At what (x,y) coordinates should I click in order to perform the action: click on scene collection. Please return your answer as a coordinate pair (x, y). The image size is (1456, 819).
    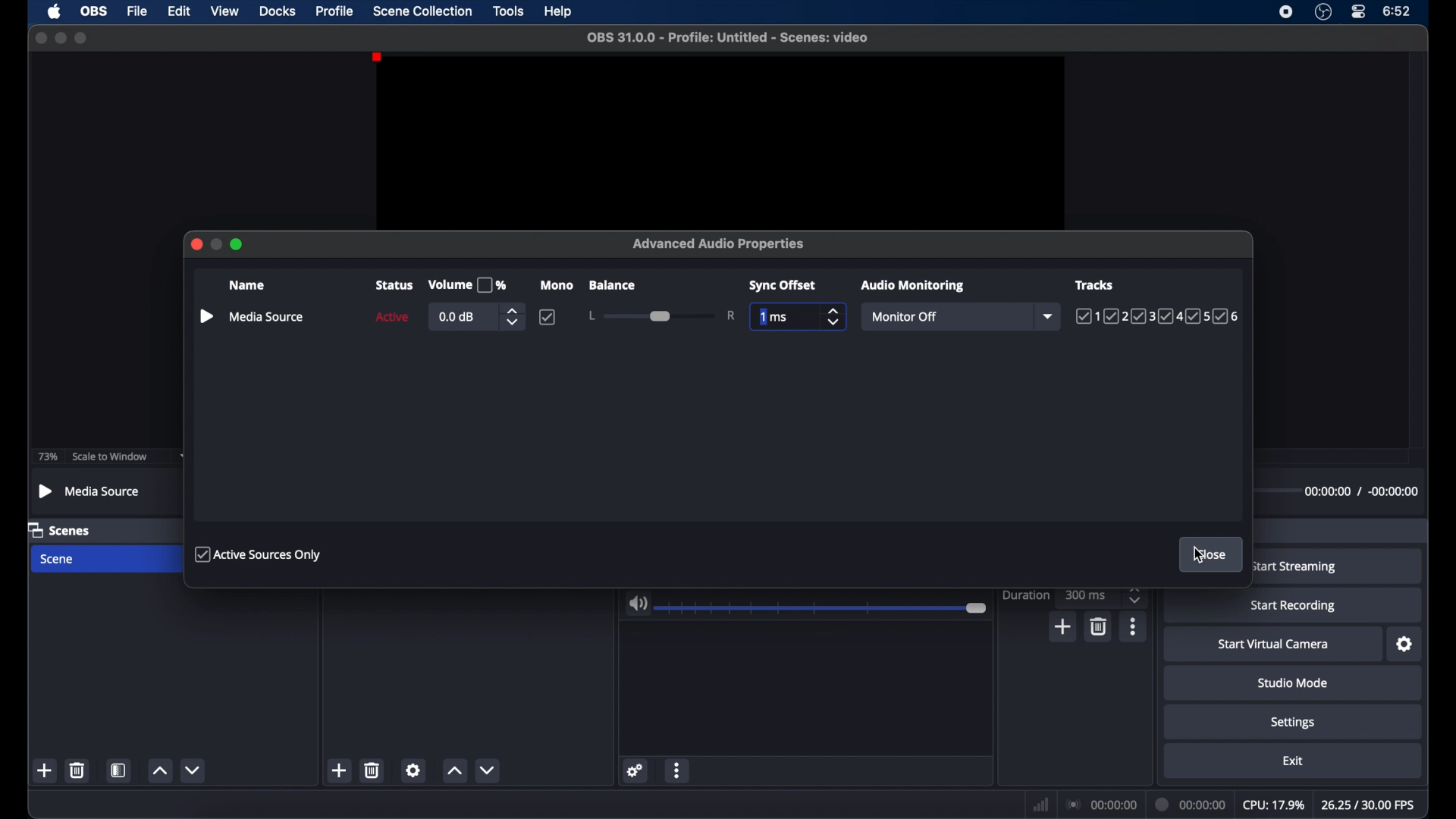
    Looking at the image, I should click on (422, 10).